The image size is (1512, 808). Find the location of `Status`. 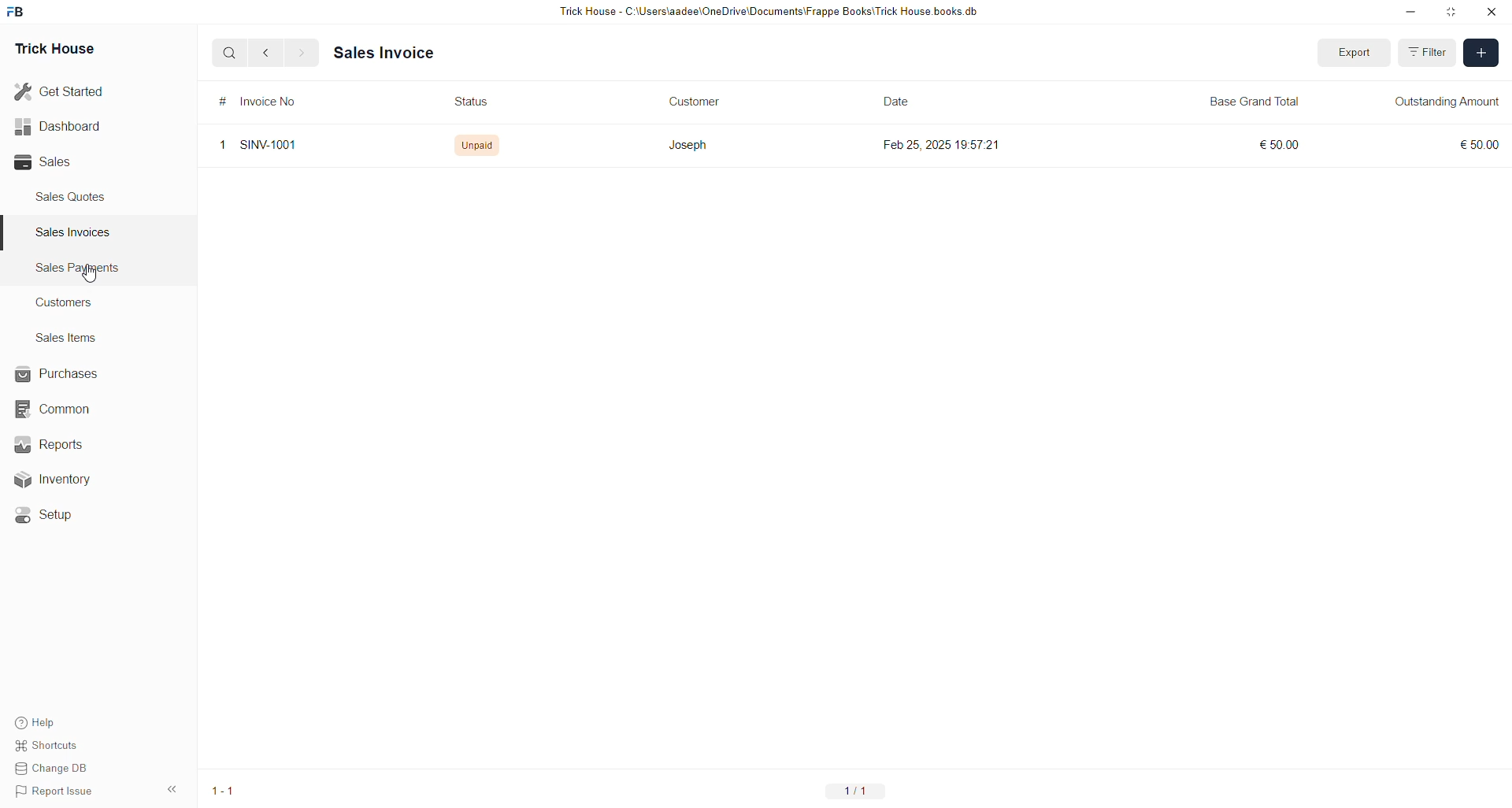

Status is located at coordinates (475, 101).